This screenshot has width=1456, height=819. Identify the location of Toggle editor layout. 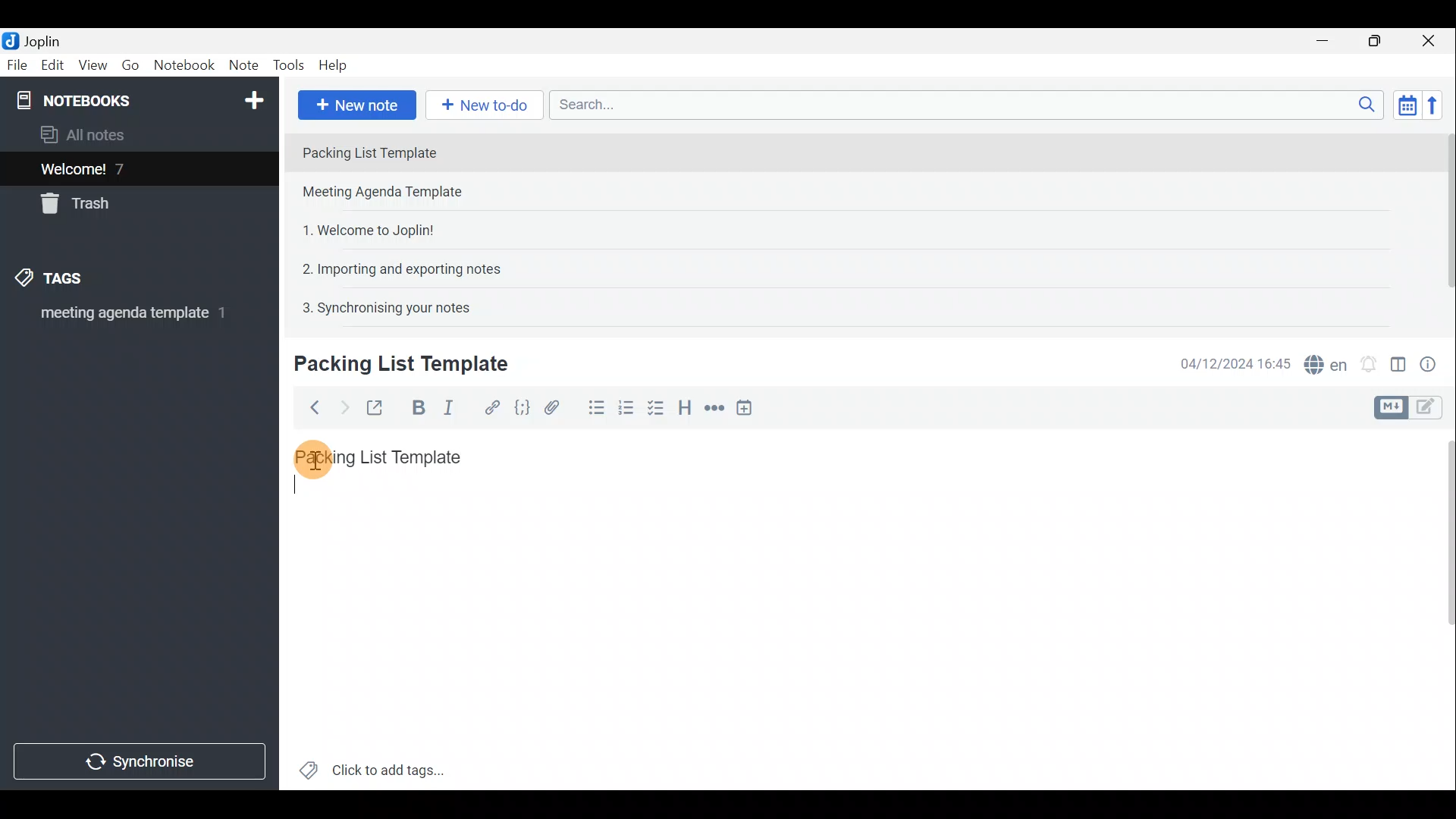
(1398, 359).